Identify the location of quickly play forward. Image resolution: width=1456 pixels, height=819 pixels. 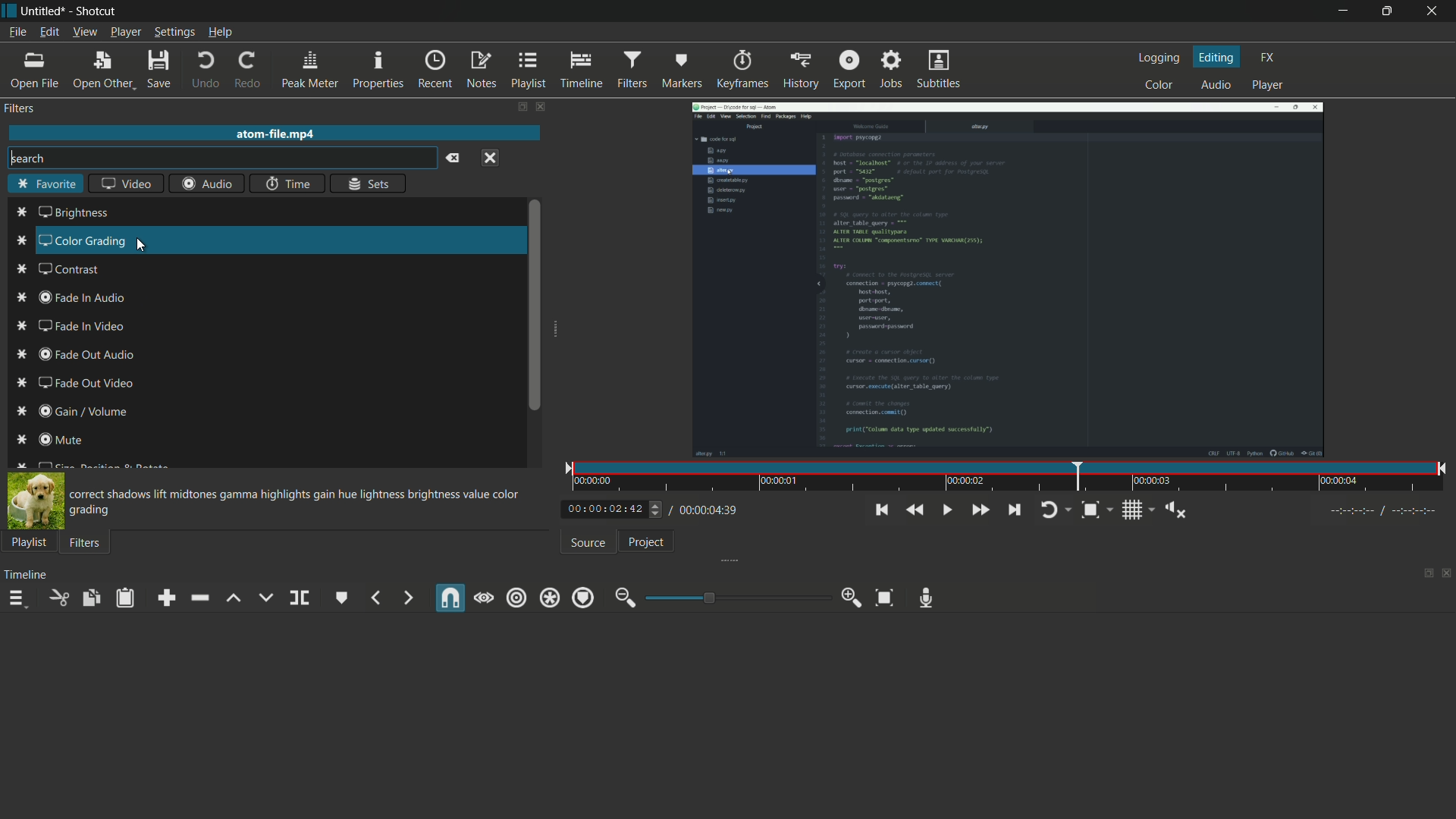
(981, 510).